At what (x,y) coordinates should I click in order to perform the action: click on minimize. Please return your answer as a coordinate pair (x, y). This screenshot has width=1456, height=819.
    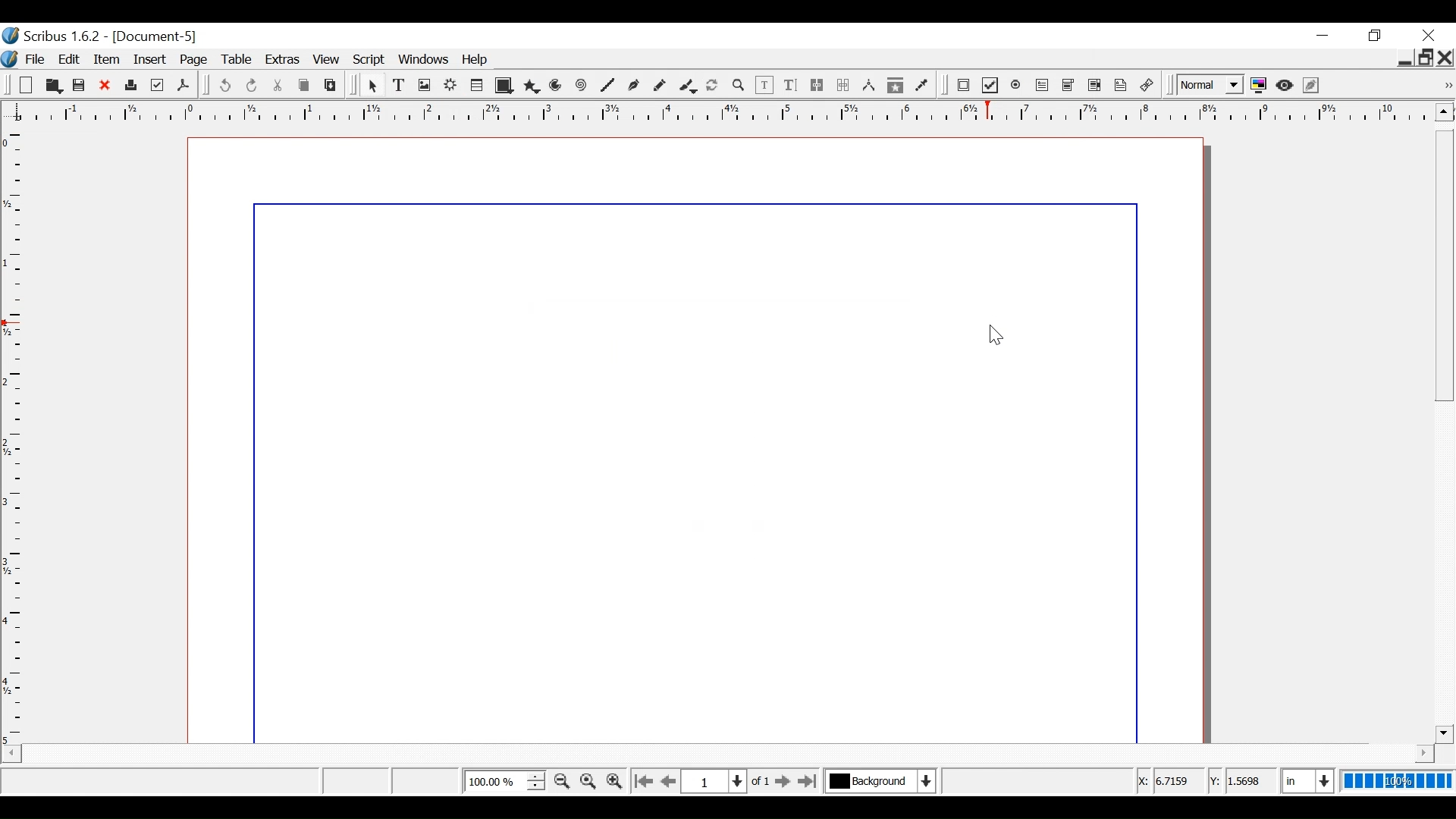
    Looking at the image, I should click on (1322, 36).